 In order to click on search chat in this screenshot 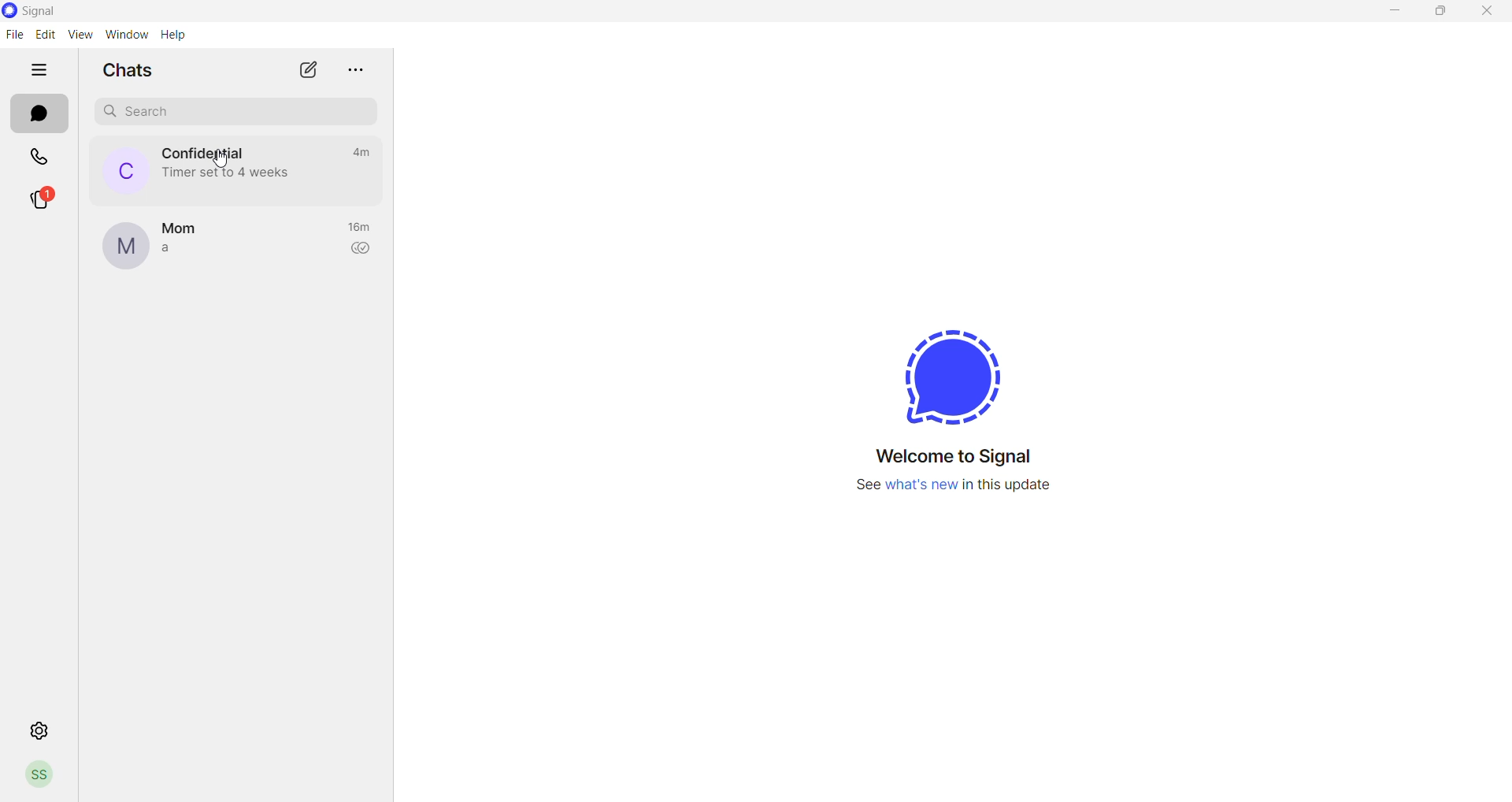, I will do `click(230, 113)`.